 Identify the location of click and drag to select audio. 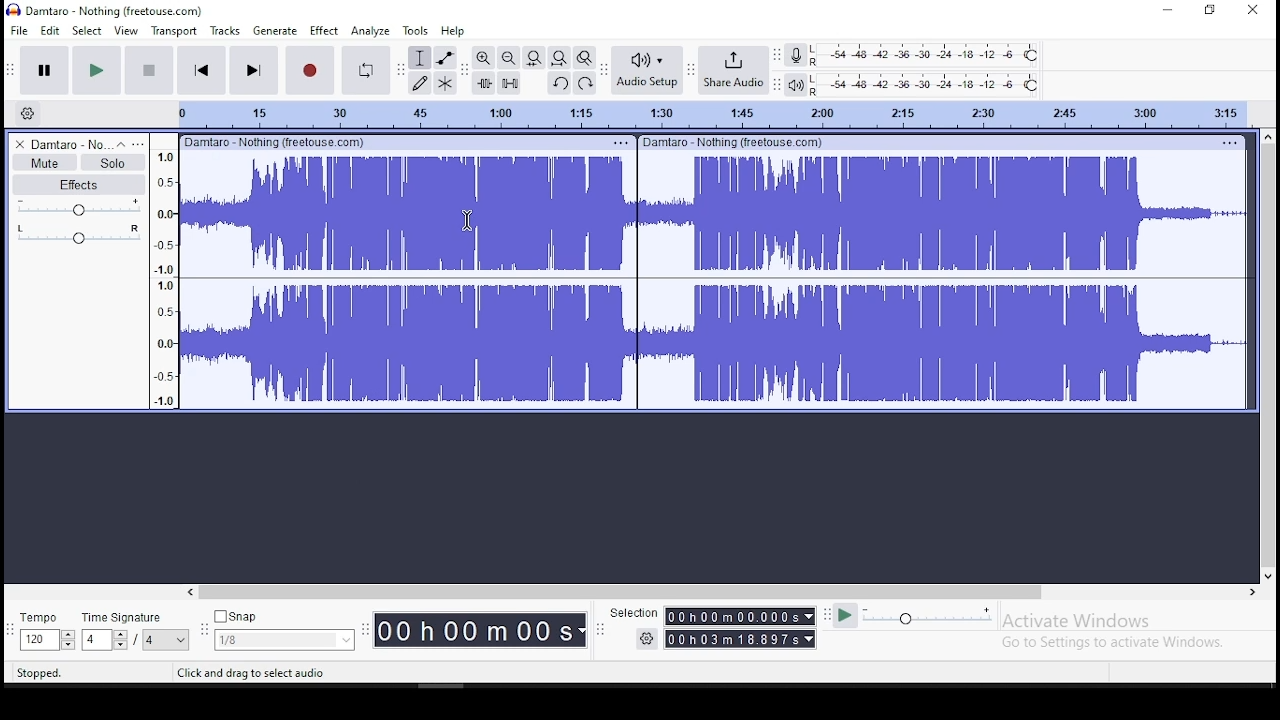
(252, 673).